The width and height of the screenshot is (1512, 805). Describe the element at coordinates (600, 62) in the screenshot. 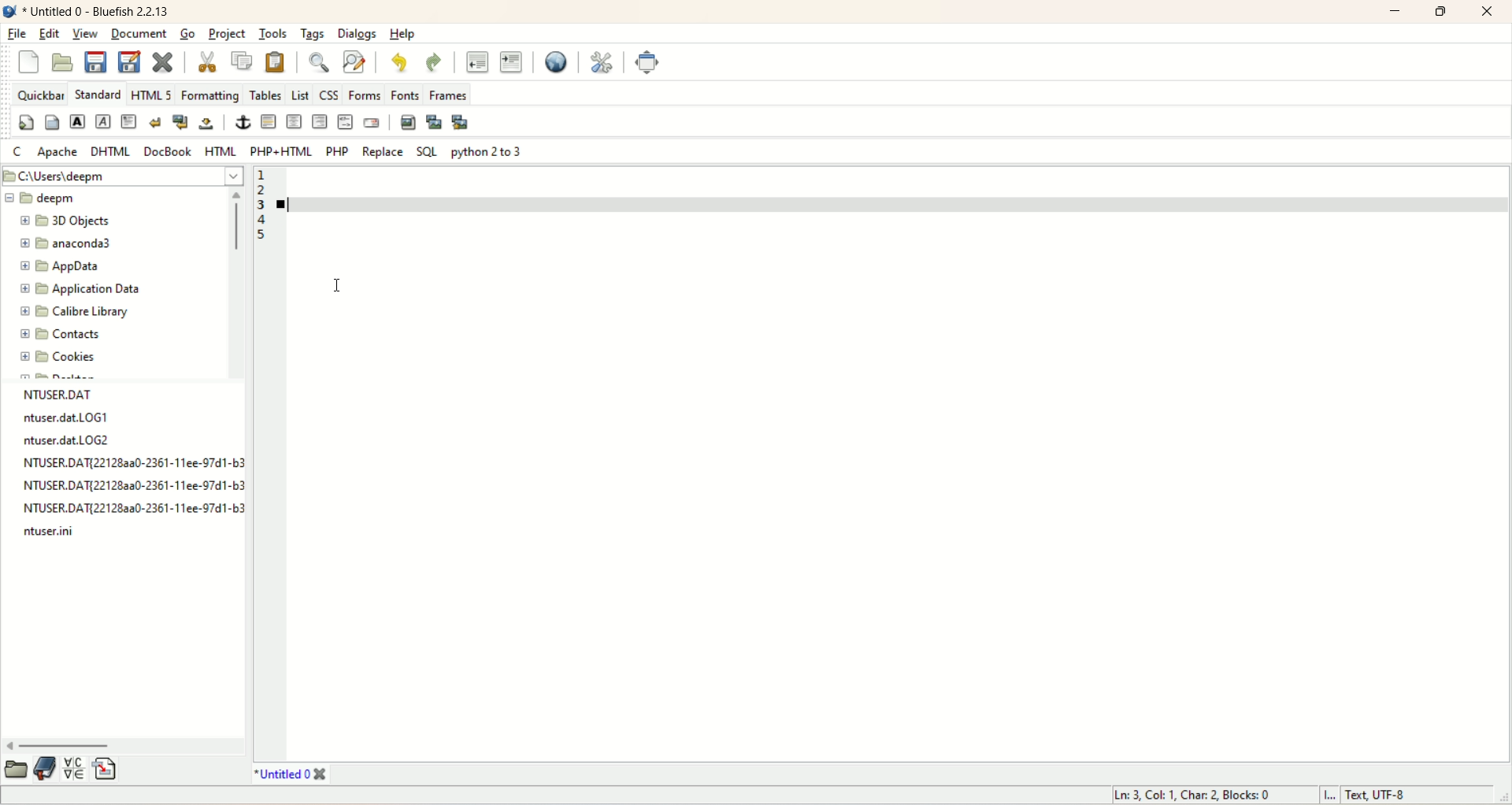

I see `edit preferences` at that location.